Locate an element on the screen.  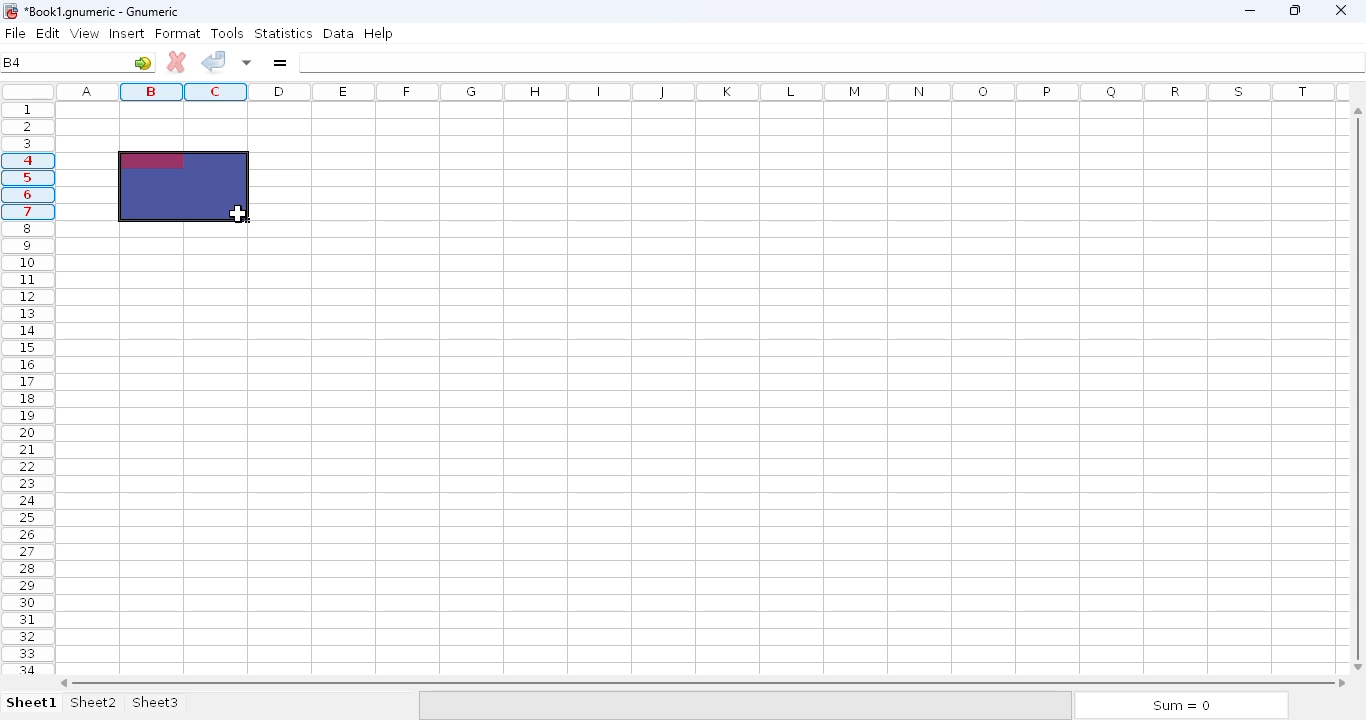
horizontal scroll bar is located at coordinates (703, 682).